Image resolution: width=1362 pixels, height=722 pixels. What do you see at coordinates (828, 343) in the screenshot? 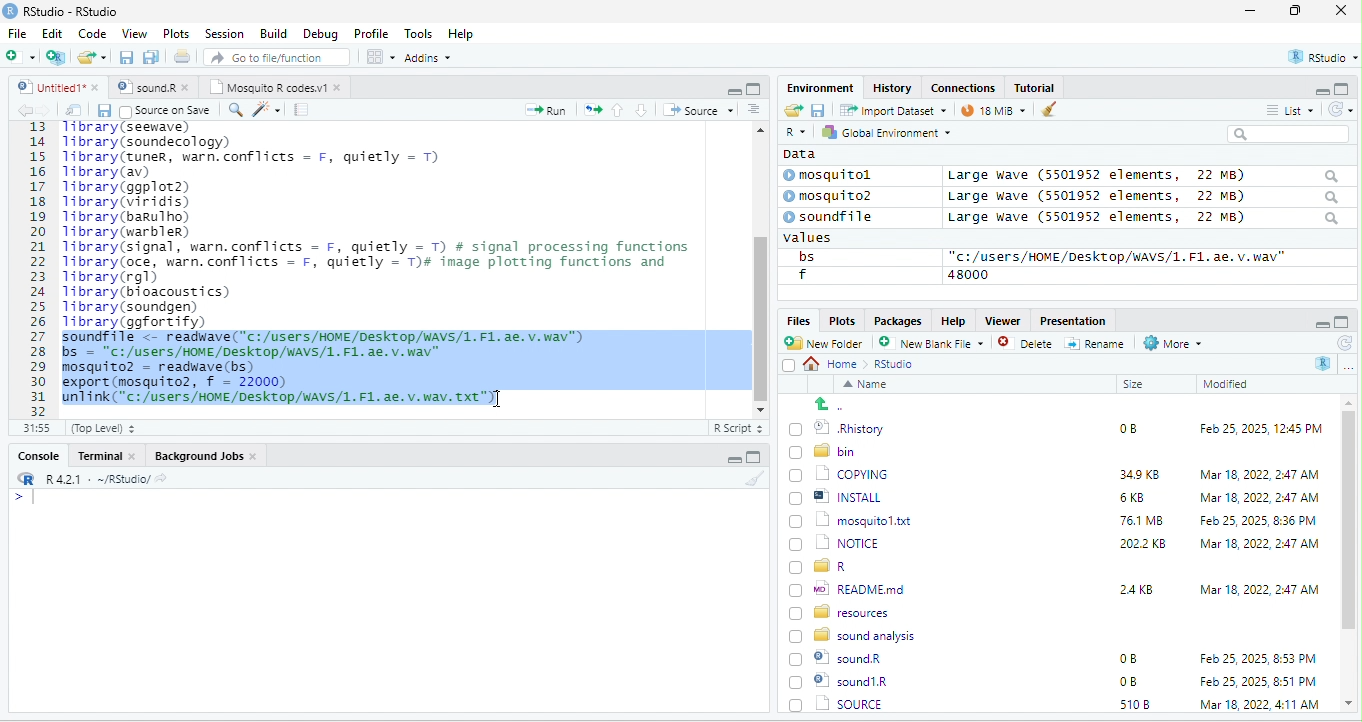
I see `New Folder` at bounding box center [828, 343].